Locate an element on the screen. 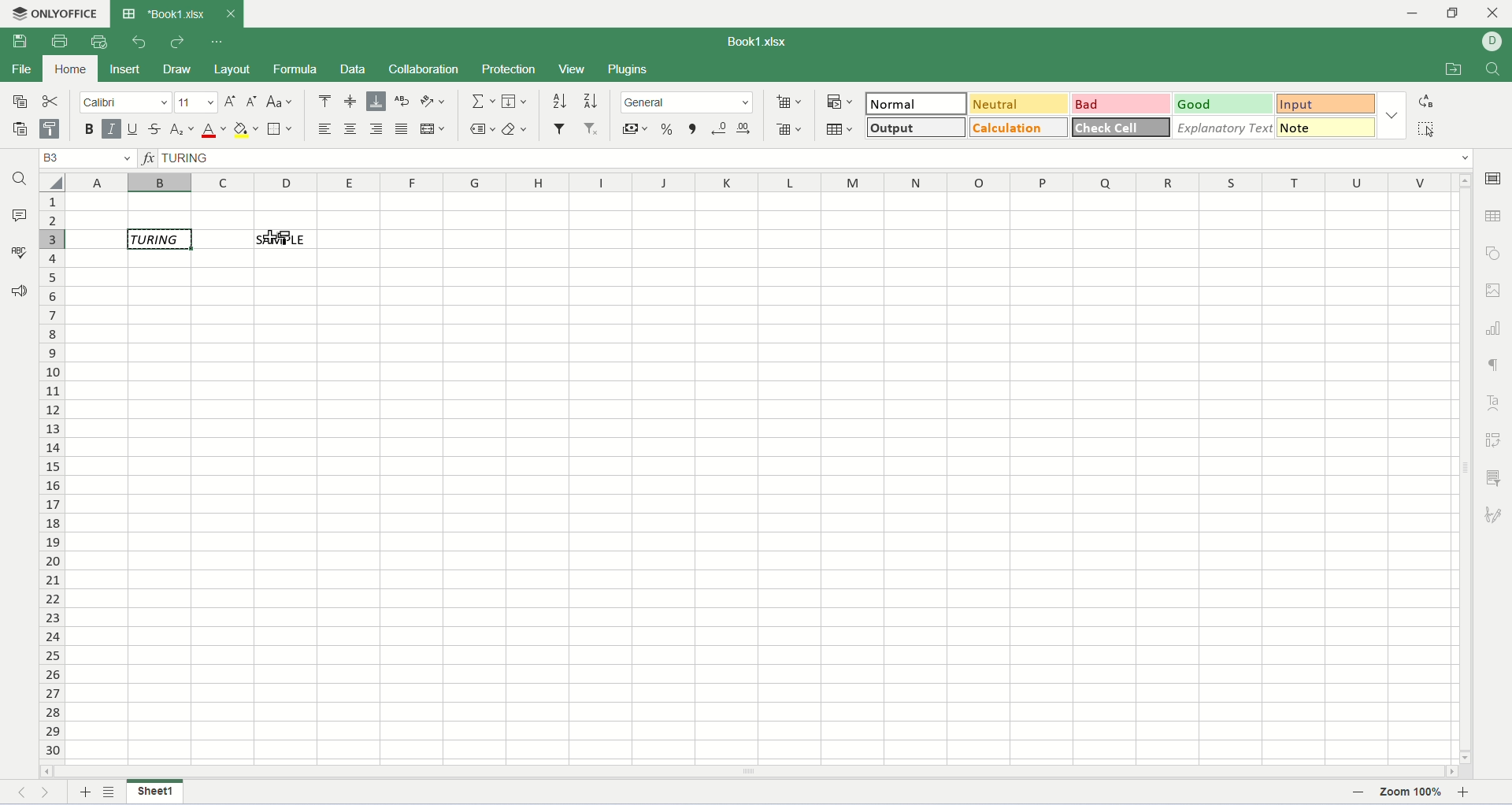 This screenshot has width=1512, height=805. image settings is located at coordinates (1495, 288).